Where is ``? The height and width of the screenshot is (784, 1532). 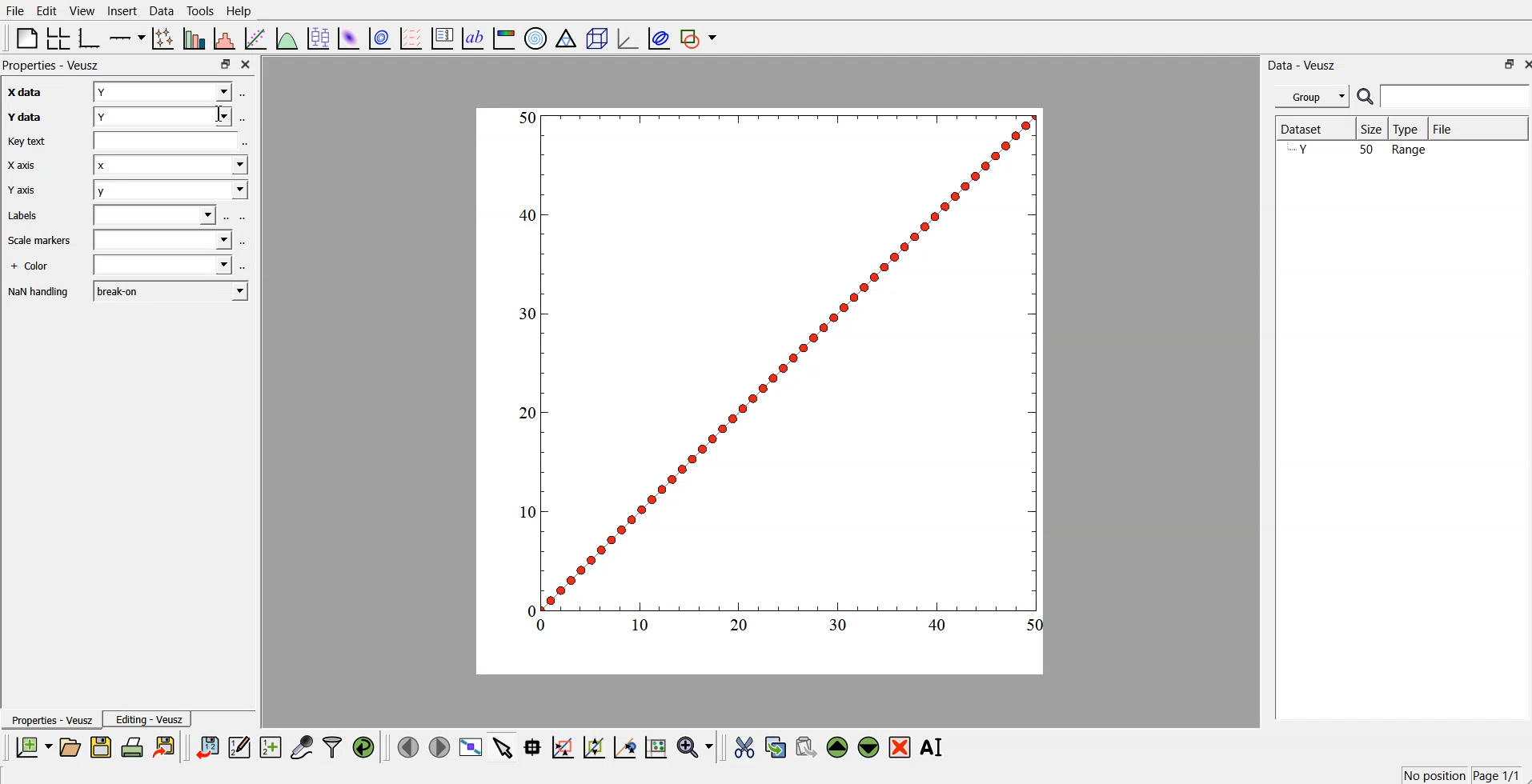  is located at coordinates (40, 293).